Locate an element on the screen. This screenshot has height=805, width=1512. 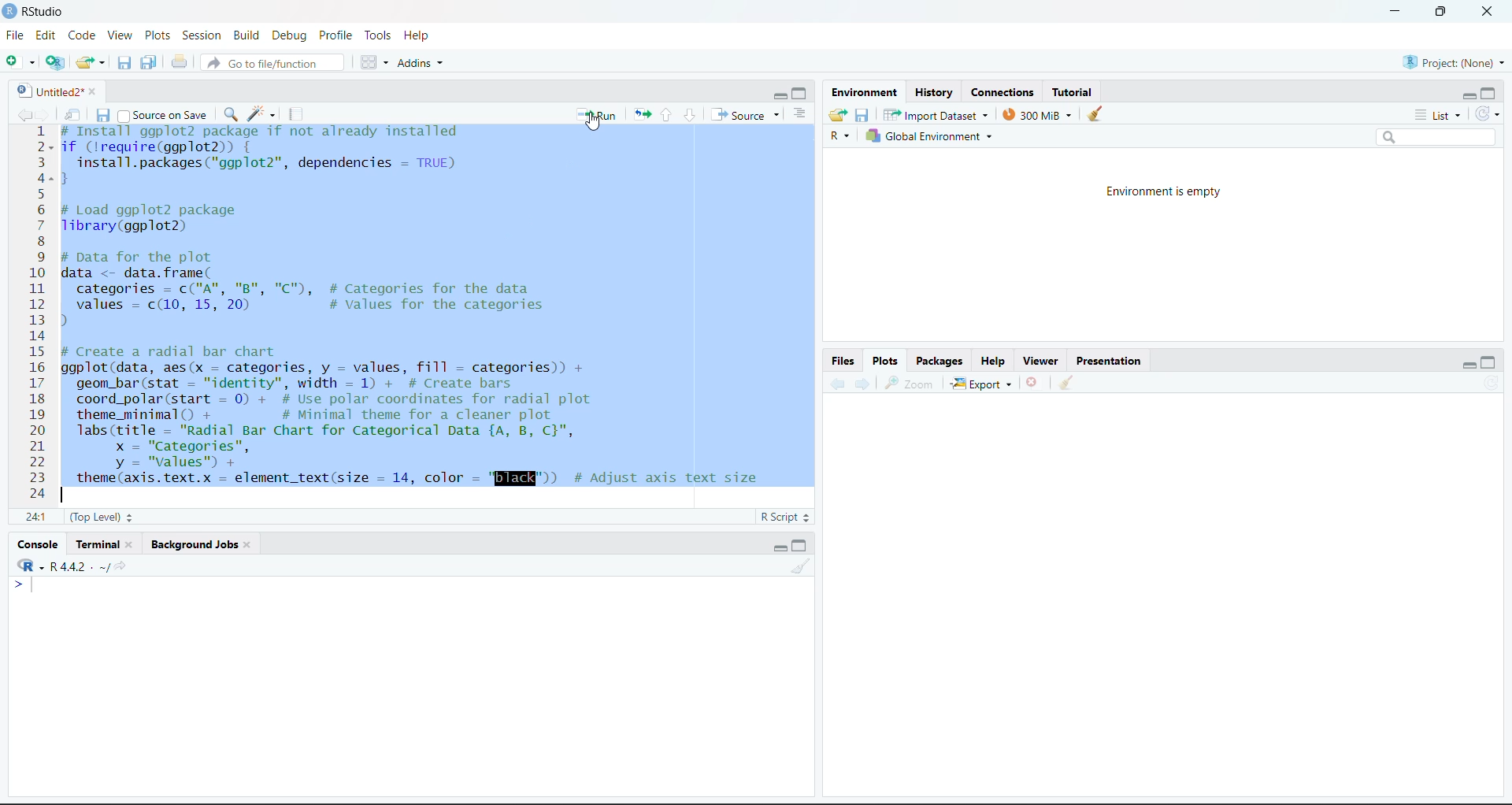
workspace pane is located at coordinates (374, 62).